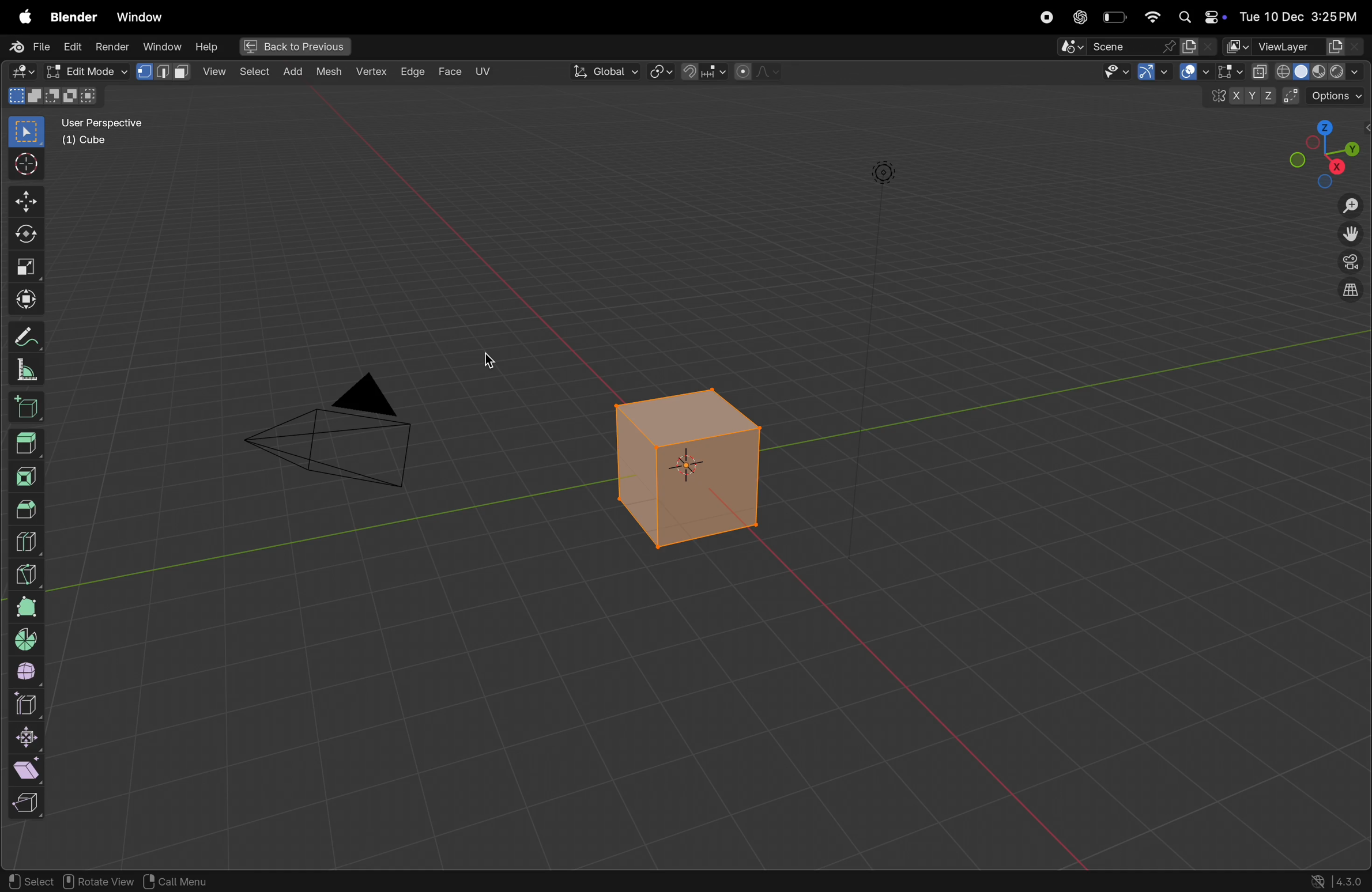 The image size is (1372, 892). I want to click on date and time, so click(1303, 13).